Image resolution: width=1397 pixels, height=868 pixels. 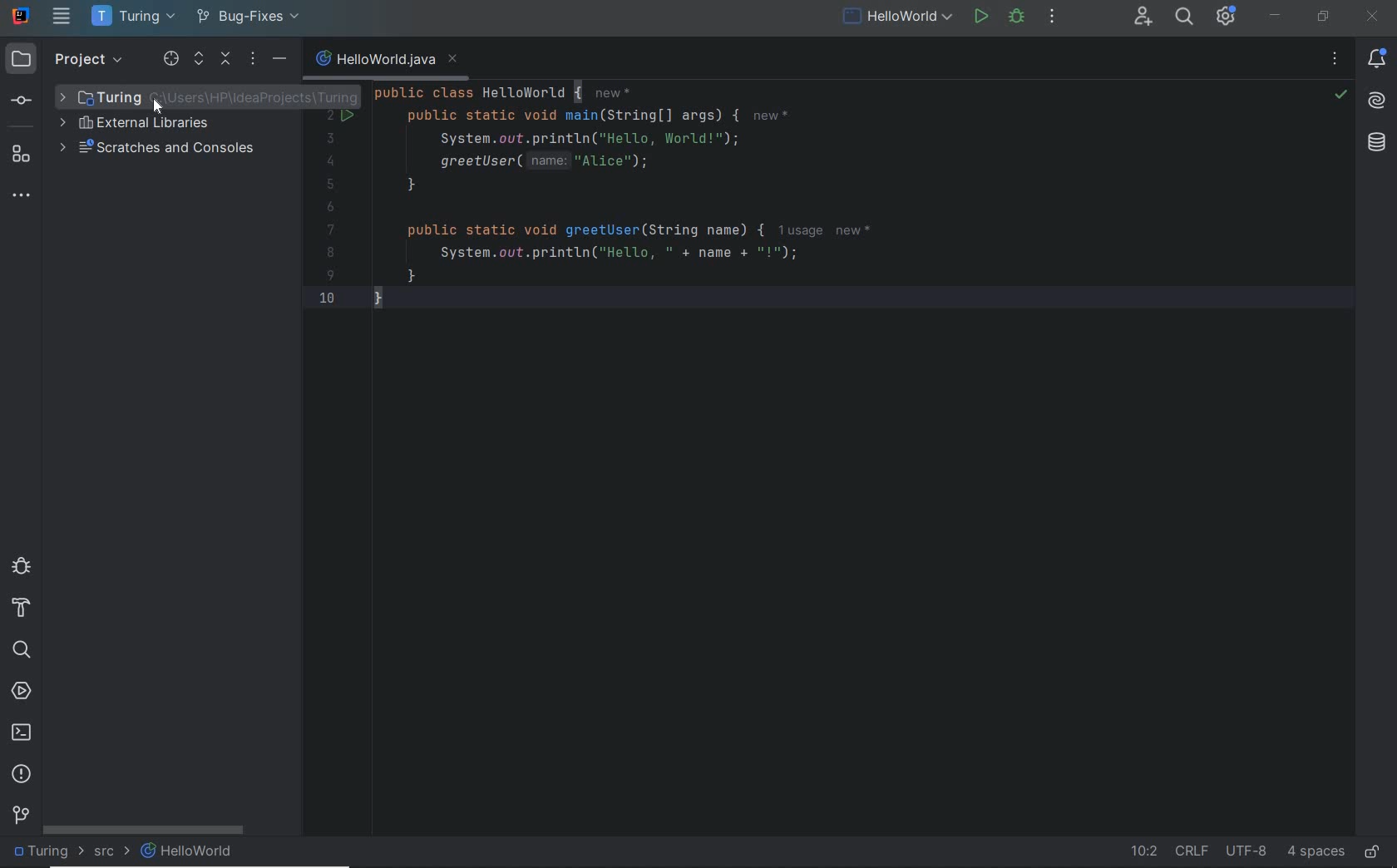 What do you see at coordinates (330, 253) in the screenshot?
I see `8` at bounding box center [330, 253].